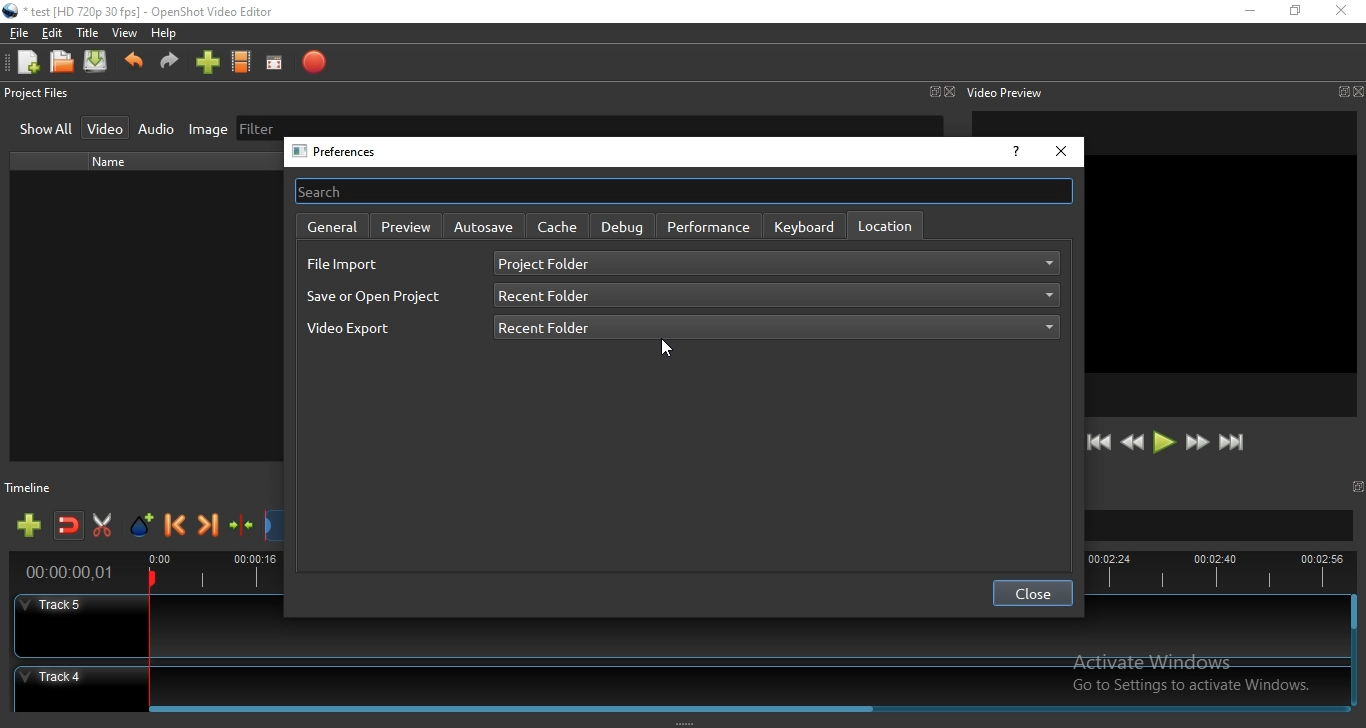  I want to click on Export video, so click(313, 63).